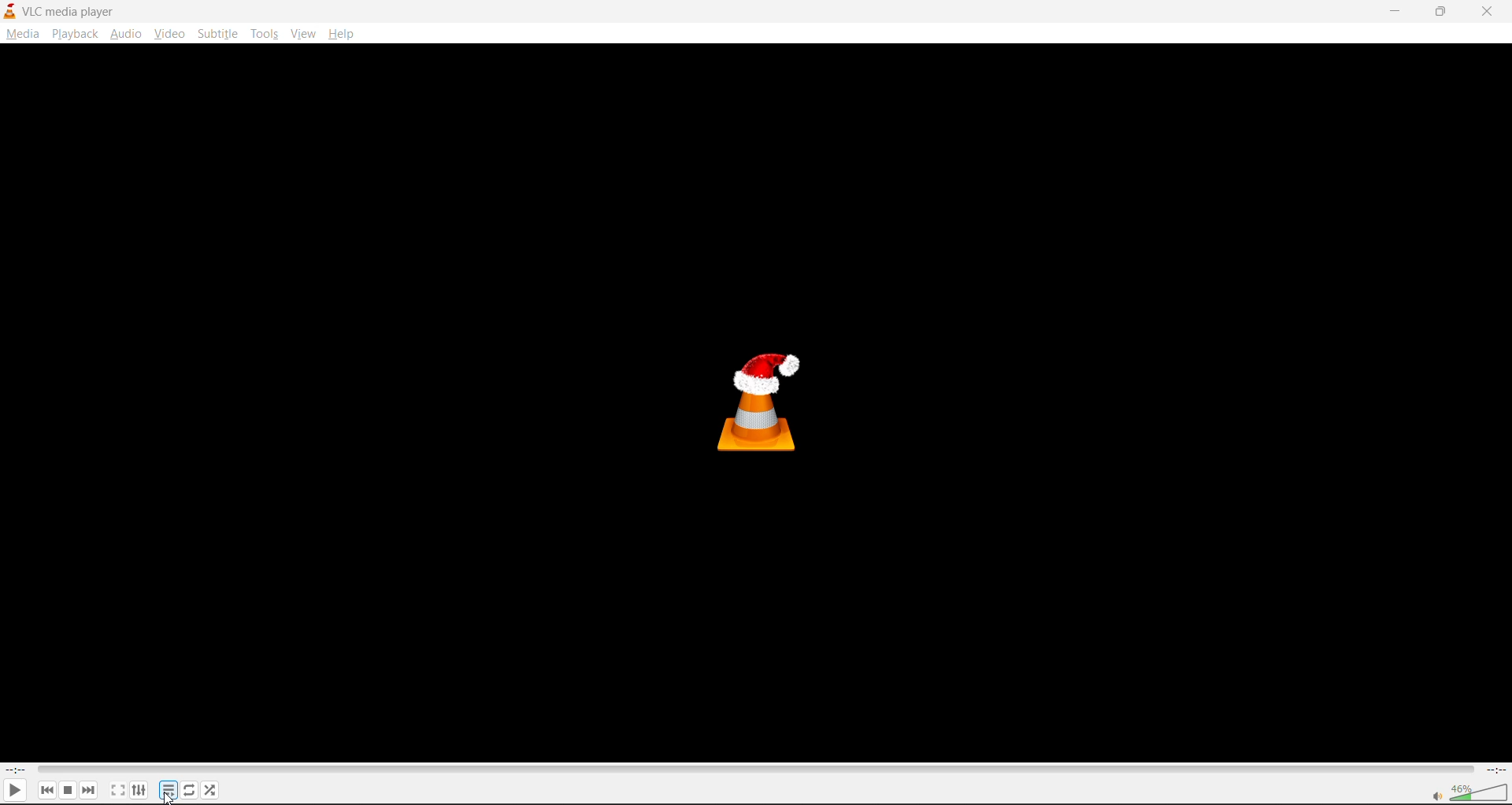 This screenshot has width=1512, height=805. I want to click on random, so click(210, 788).